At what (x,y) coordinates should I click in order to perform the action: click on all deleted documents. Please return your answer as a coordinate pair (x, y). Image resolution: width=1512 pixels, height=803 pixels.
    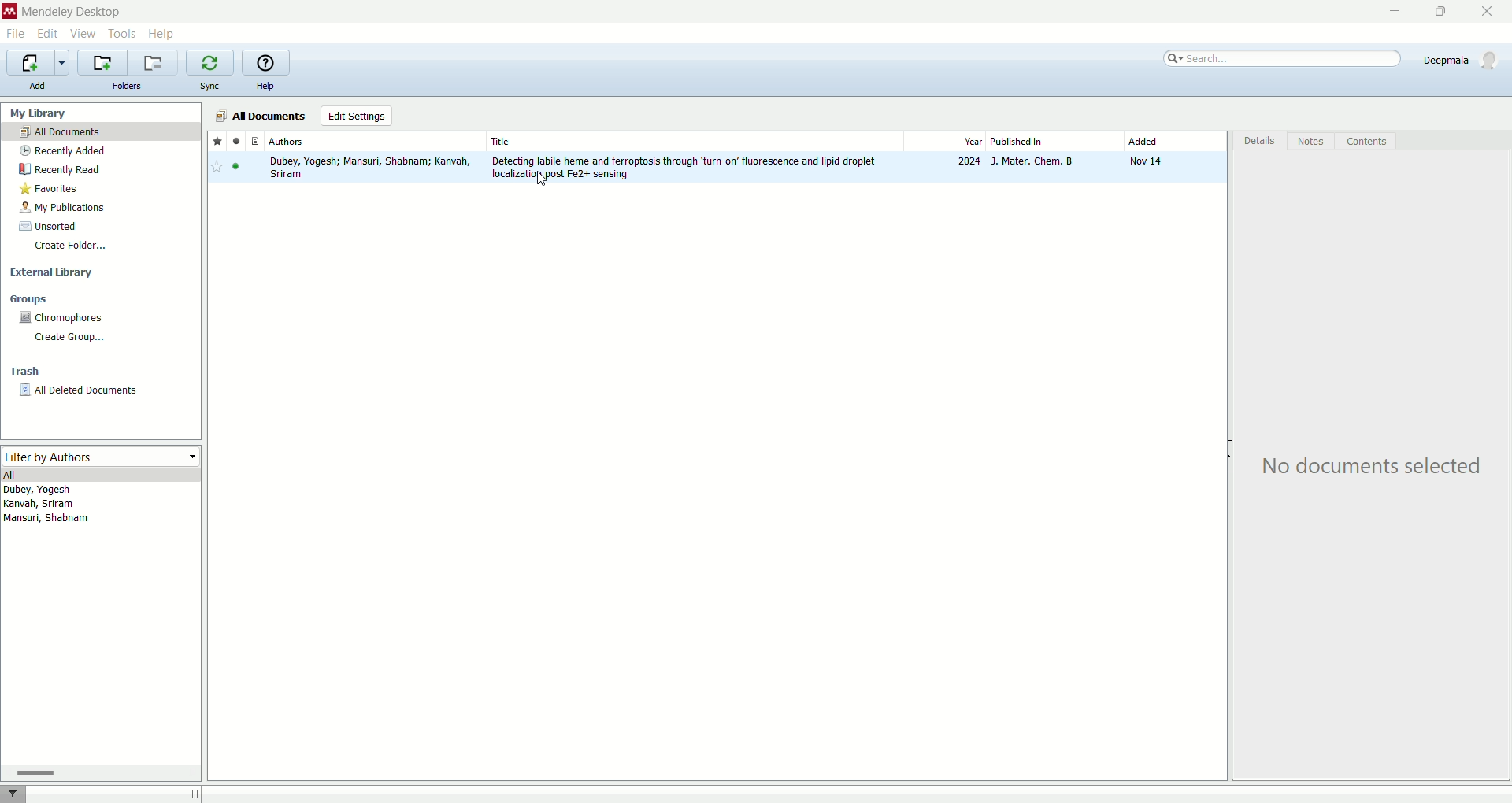
    Looking at the image, I should click on (94, 394).